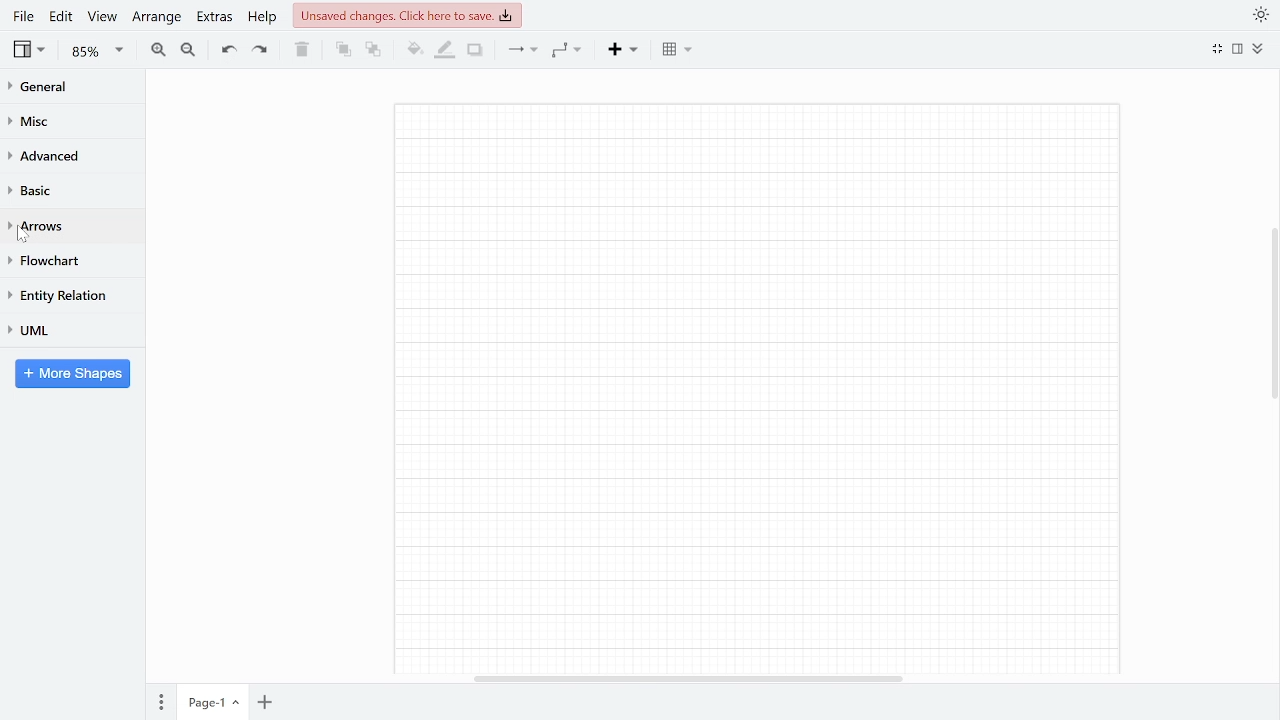  What do you see at coordinates (29, 240) in the screenshot?
I see `Pointer` at bounding box center [29, 240].